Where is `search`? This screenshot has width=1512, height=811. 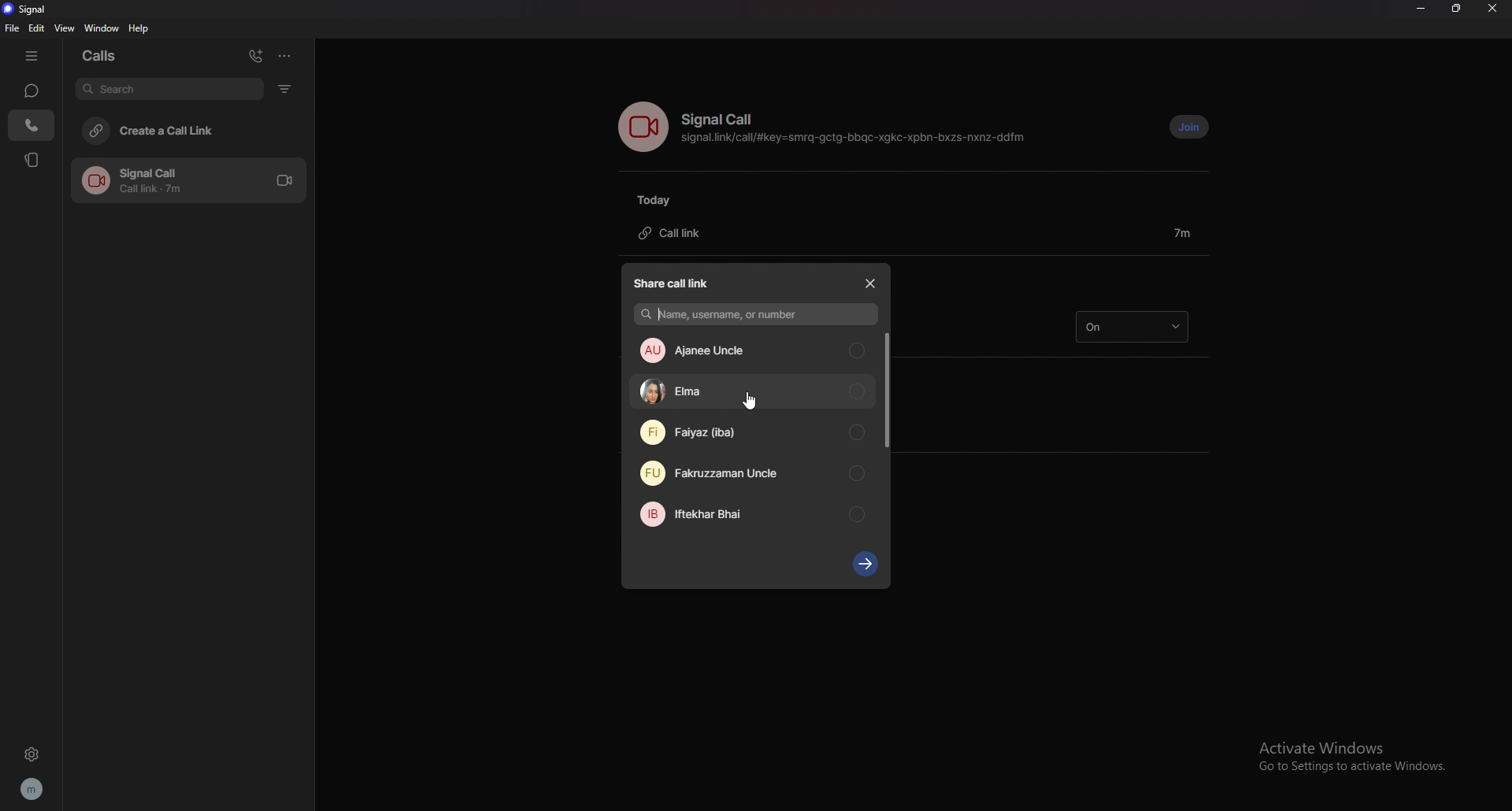
search is located at coordinates (169, 88).